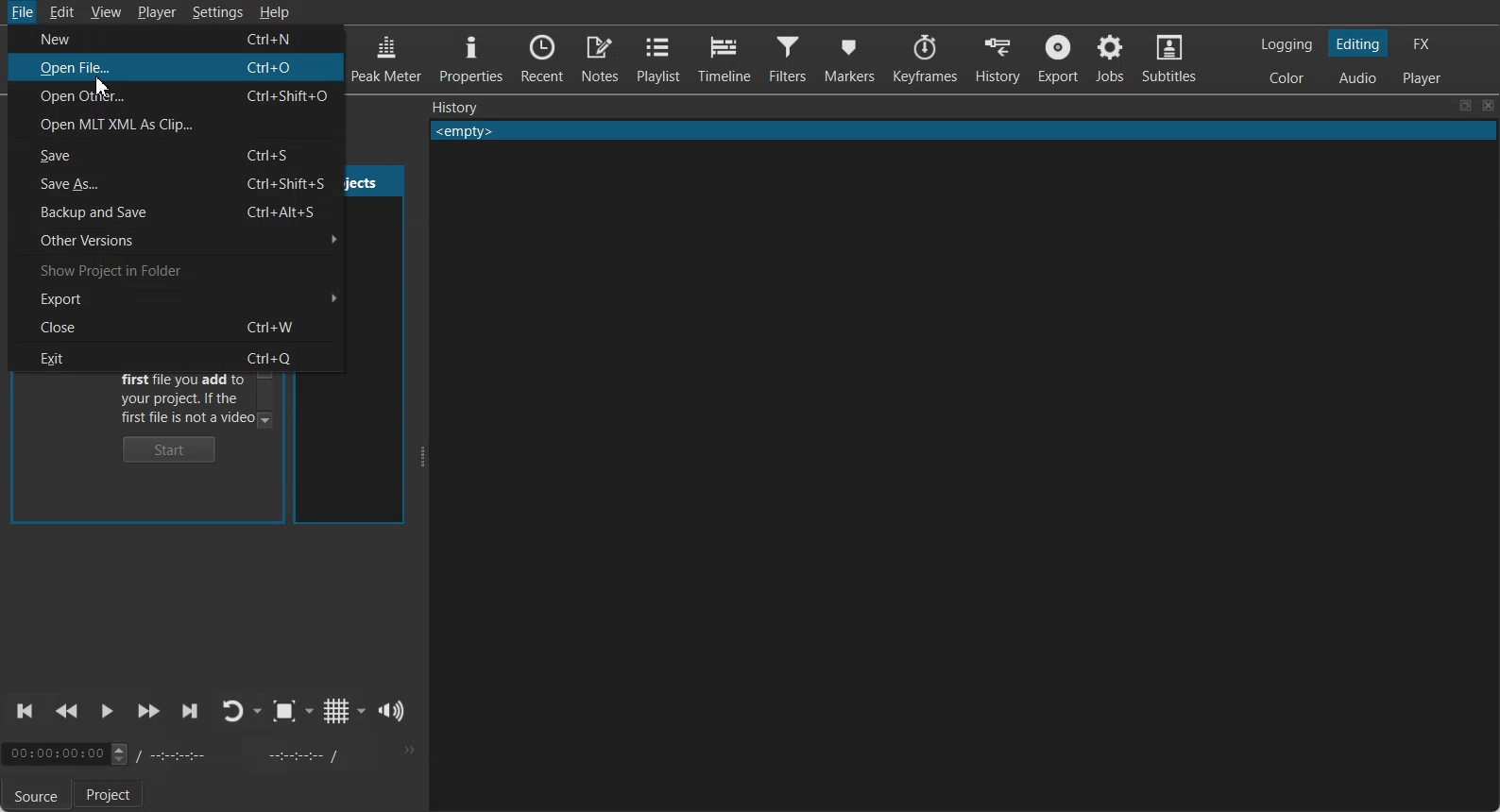 The image size is (1500, 812). I want to click on Open Other, so click(82, 98).